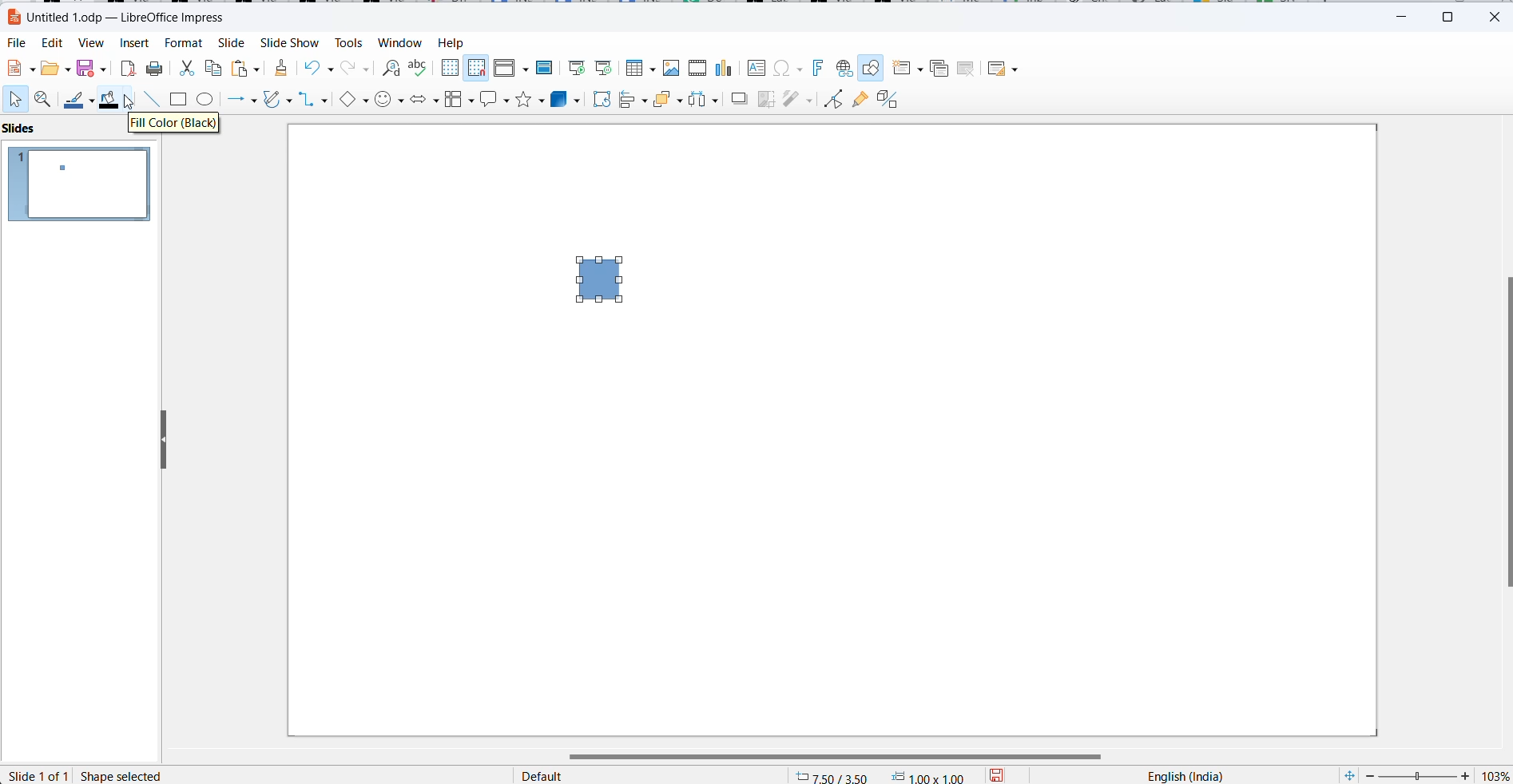 The image size is (1513, 784). Describe the element at coordinates (1453, 15) in the screenshot. I see `maximize` at that location.